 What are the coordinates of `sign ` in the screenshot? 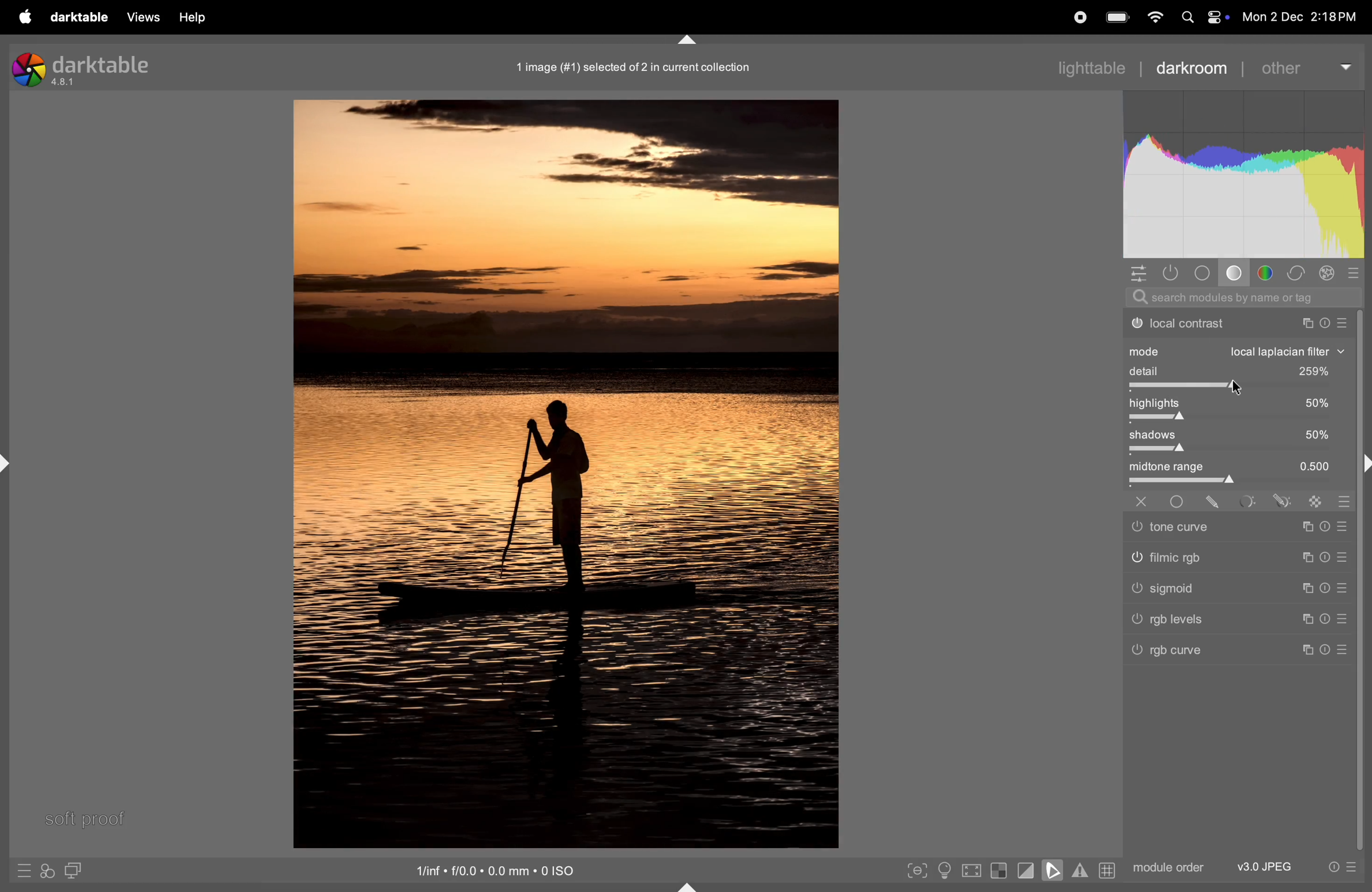 It's located at (1347, 527).